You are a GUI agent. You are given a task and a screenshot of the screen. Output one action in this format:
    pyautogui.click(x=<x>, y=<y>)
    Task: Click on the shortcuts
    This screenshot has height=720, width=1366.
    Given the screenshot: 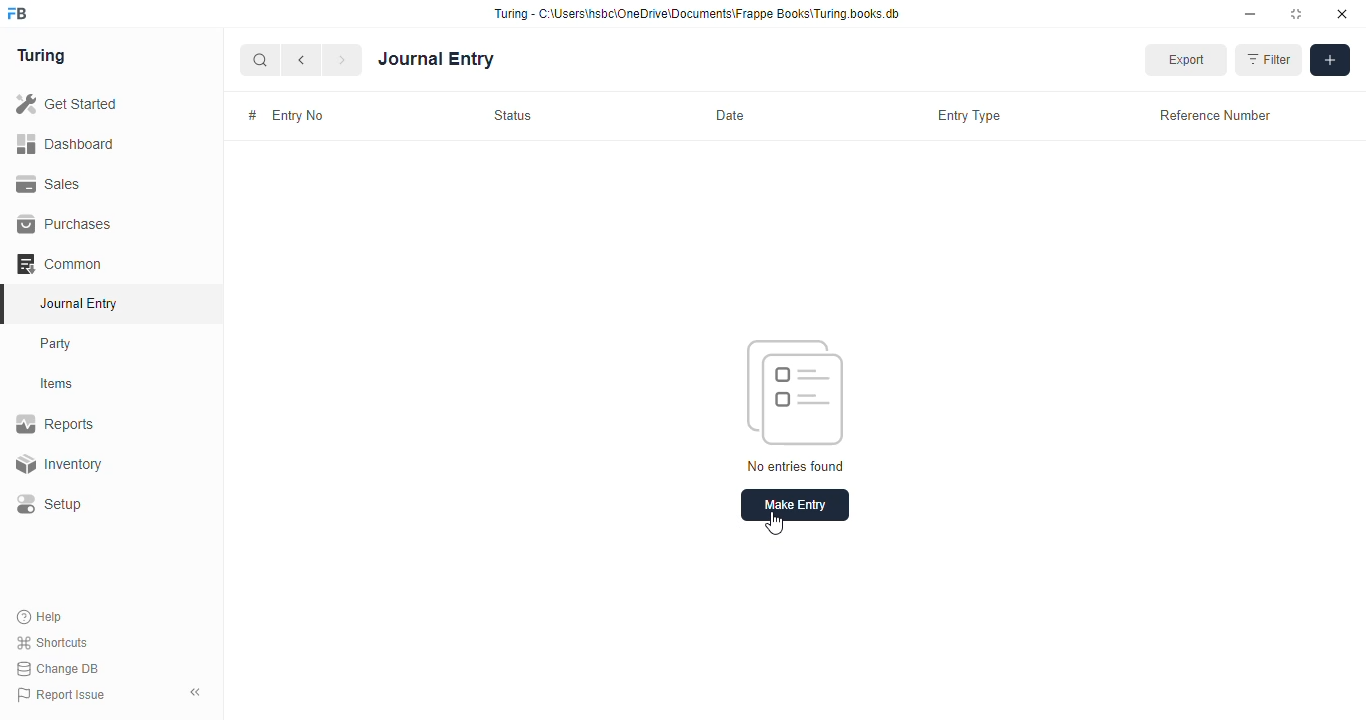 What is the action you would take?
    pyautogui.click(x=52, y=643)
    